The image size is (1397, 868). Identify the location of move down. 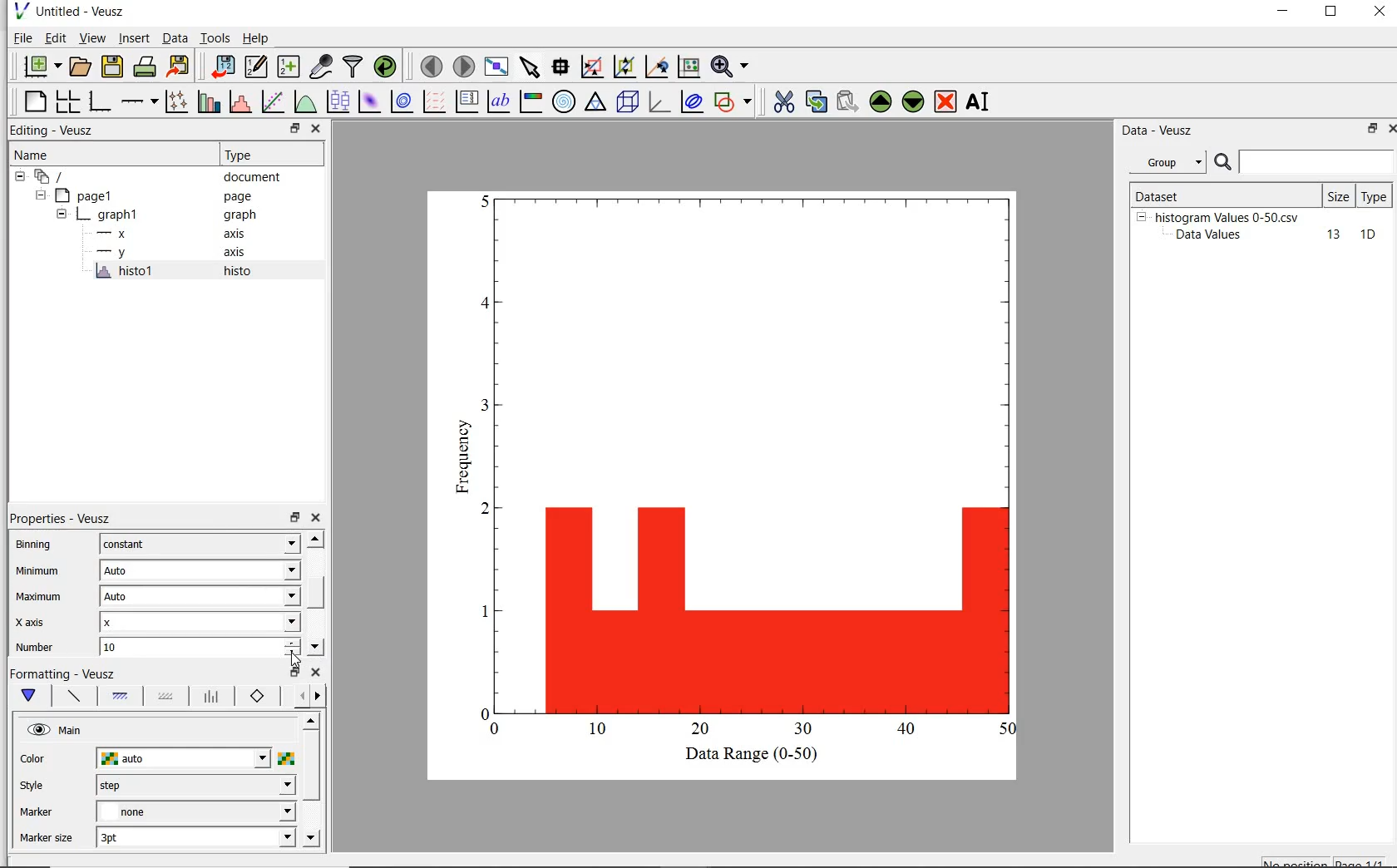
(311, 839).